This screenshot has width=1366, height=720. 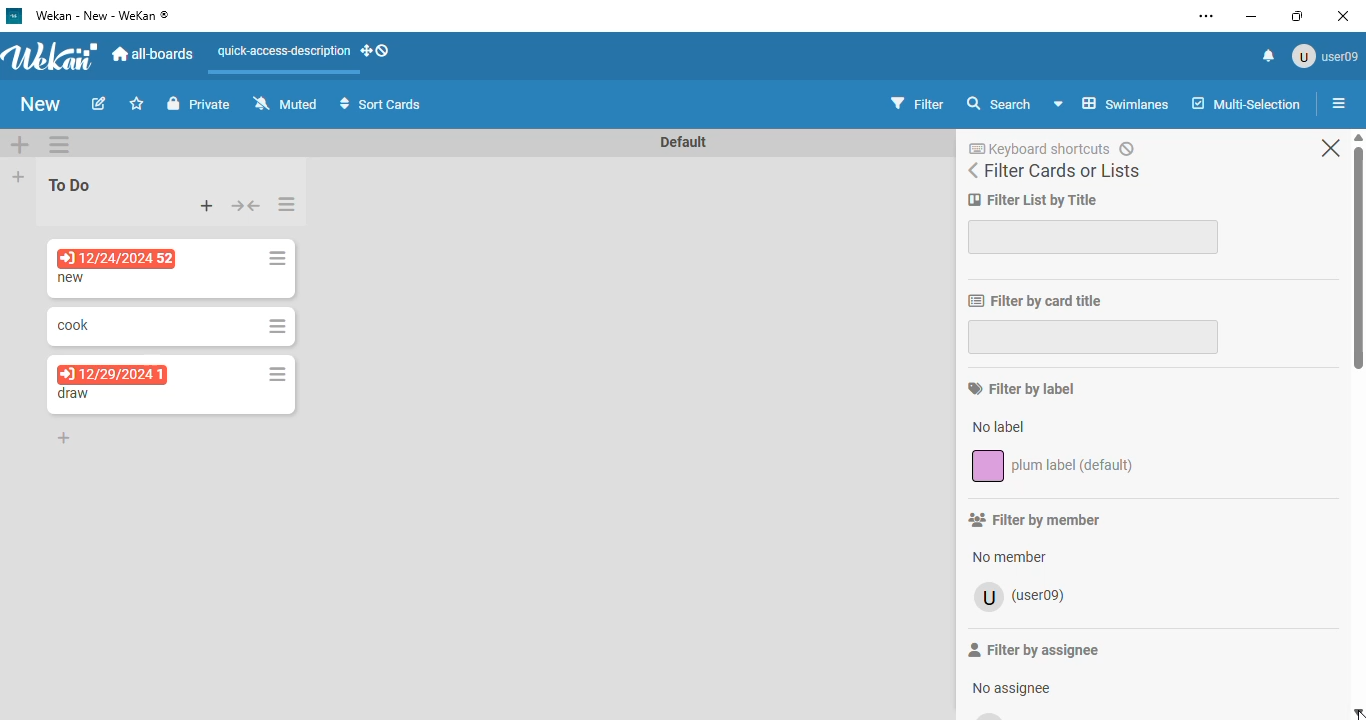 I want to click on settings and more, so click(x=1206, y=16).